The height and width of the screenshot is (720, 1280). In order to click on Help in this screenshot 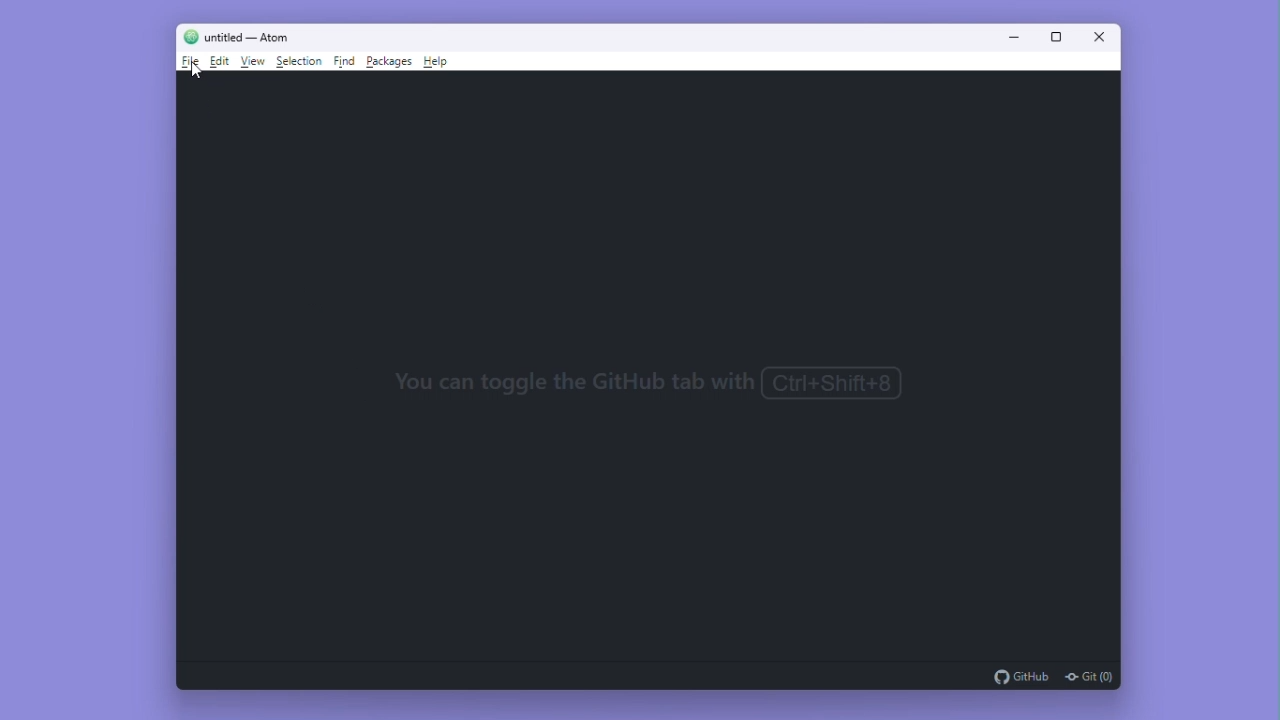, I will do `click(437, 64)`.